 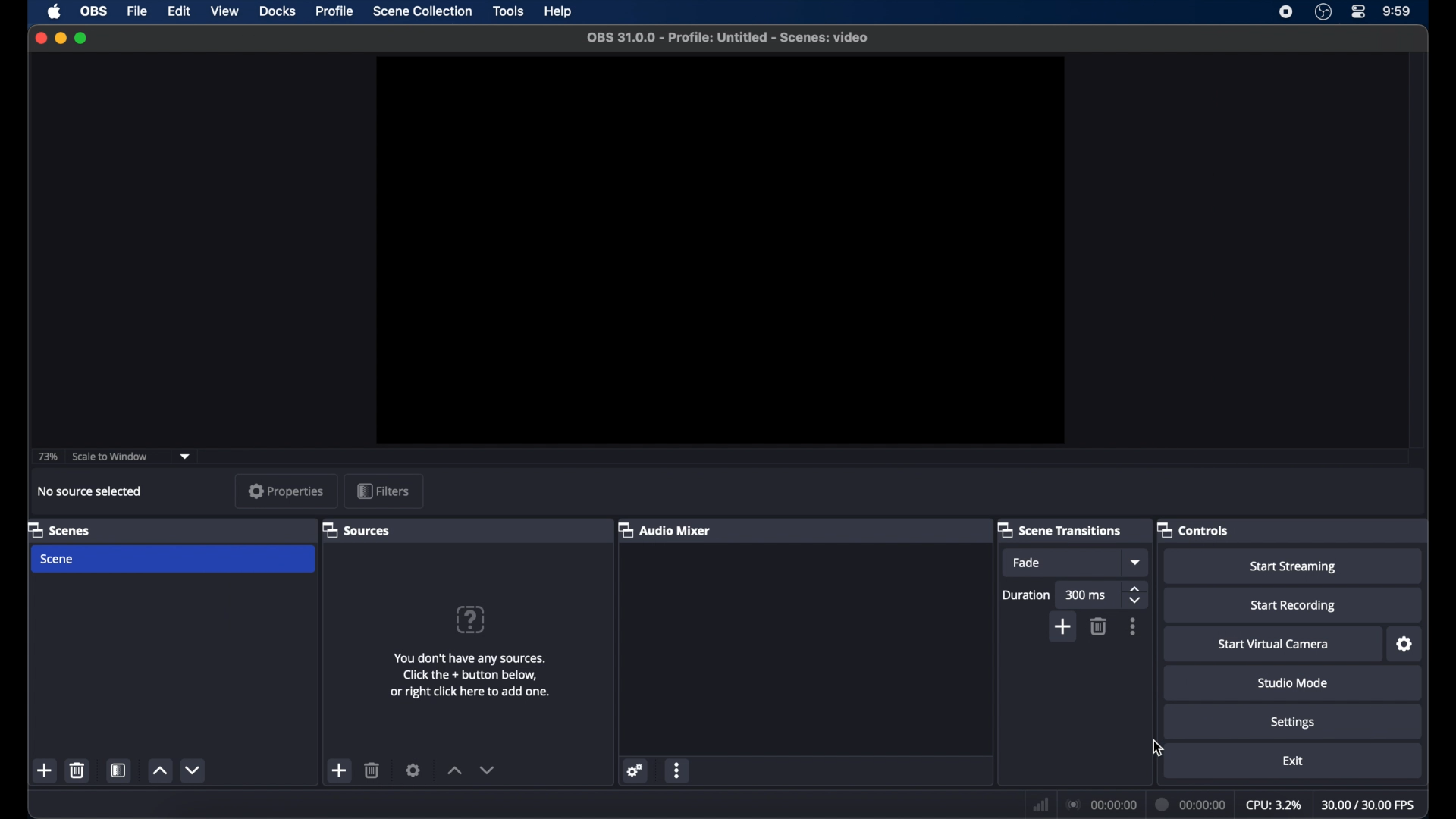 What do you see at coordinates (1040, 803) in the screenshot?
I see `network` at bounding box center [1040, 803].